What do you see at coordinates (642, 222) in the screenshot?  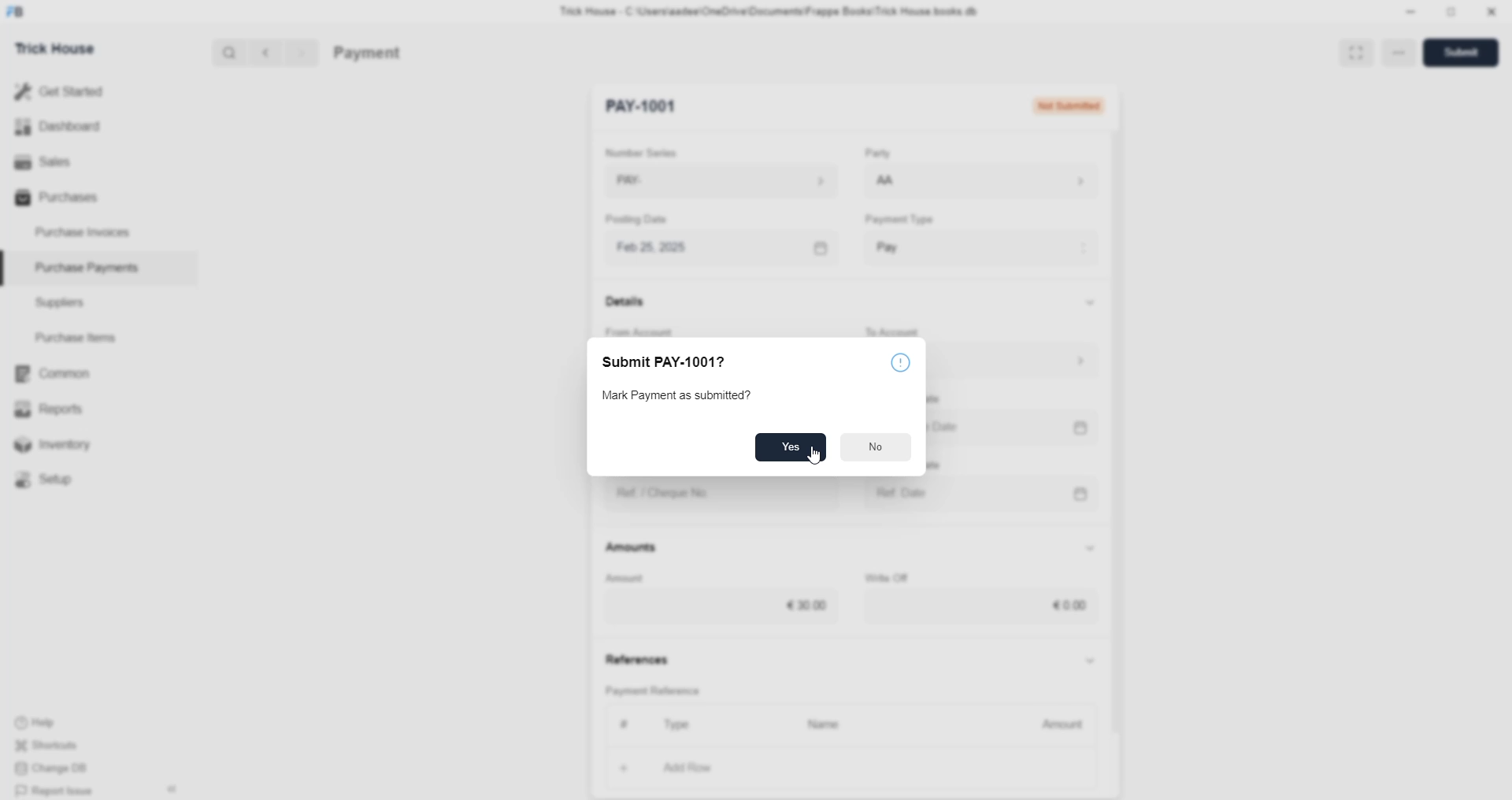 I see `Posting Date` at bounding box center [642, 222].